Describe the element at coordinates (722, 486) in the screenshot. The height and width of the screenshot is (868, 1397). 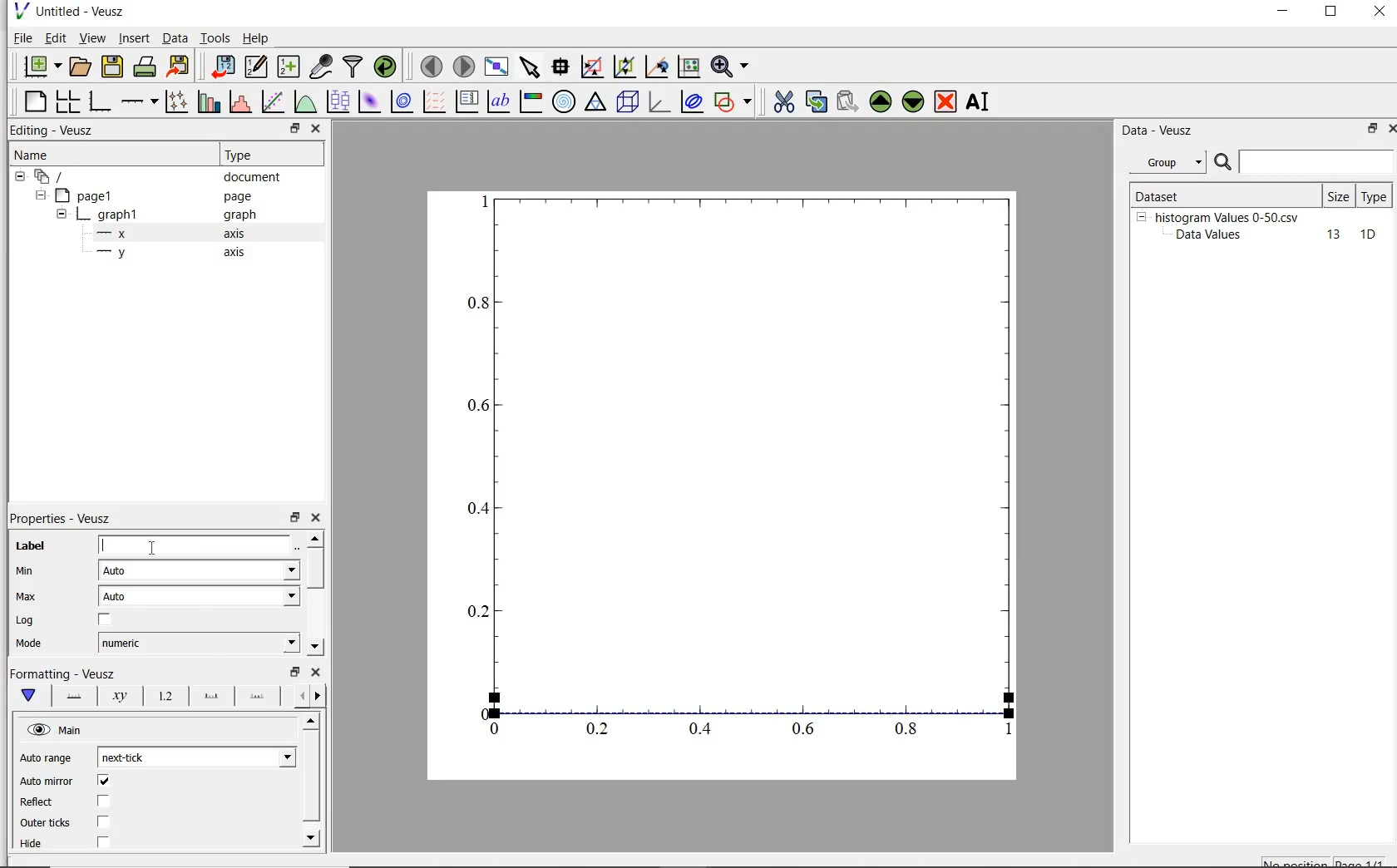
I see `Graph` at that location.